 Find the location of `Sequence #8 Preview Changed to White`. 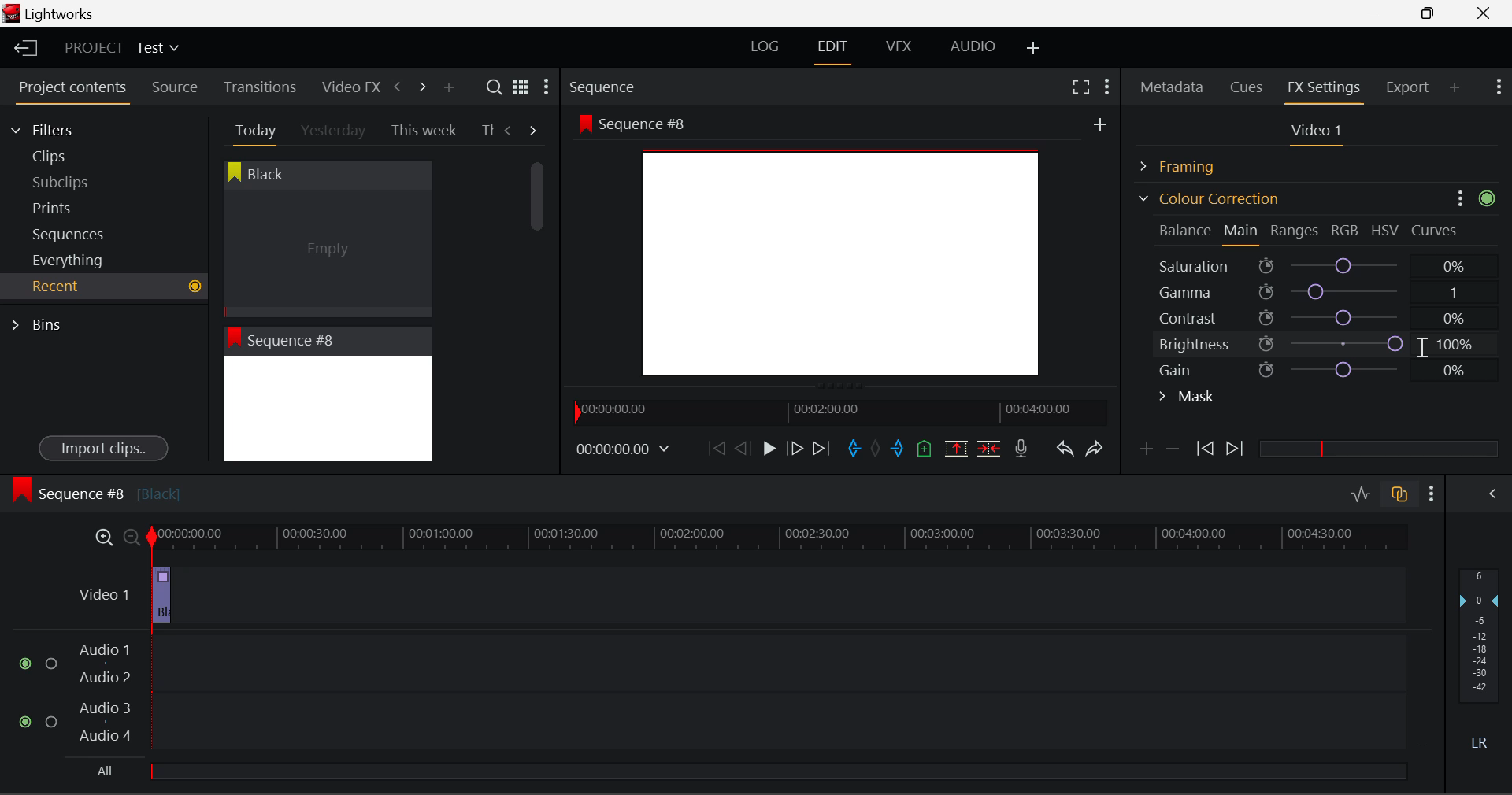

Sequence #8 Preview Changed to White is located at coordinates (327, 394).